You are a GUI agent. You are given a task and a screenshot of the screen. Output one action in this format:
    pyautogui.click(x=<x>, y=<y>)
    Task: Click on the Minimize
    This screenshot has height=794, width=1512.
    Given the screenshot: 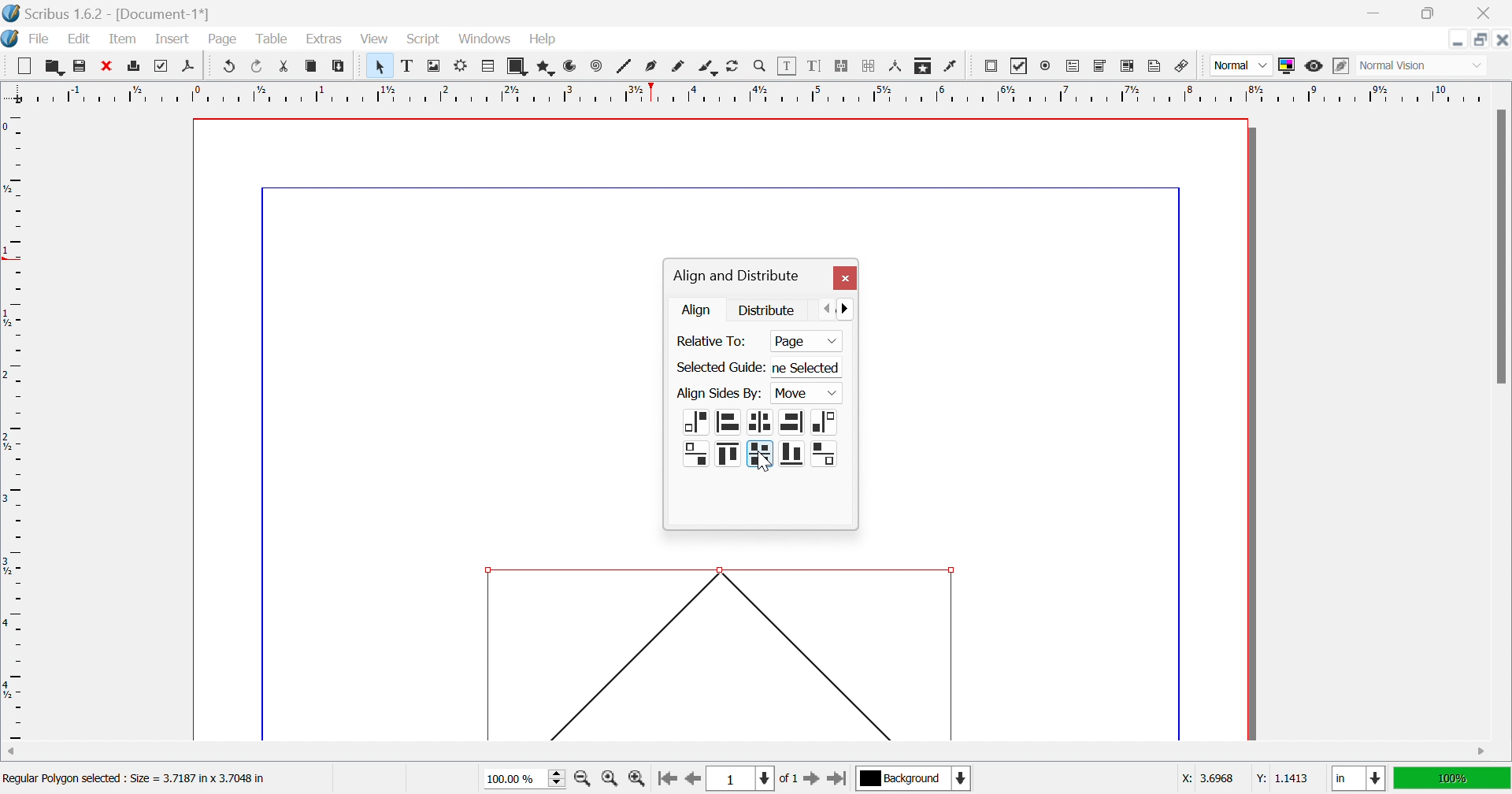 What is the action you would take?
    pyautogui.click(x=1458, y=39)
    